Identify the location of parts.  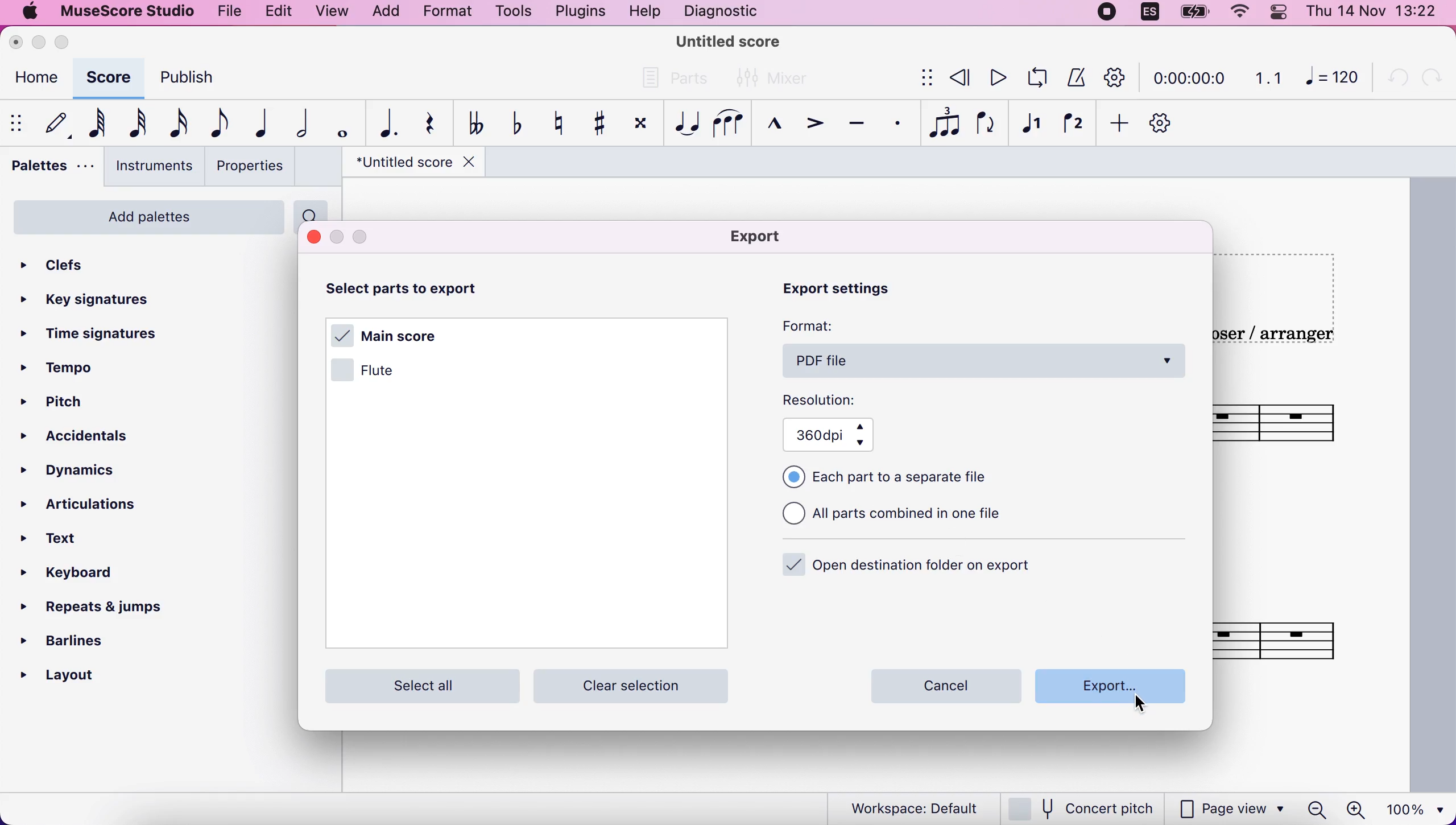
(677, 81).